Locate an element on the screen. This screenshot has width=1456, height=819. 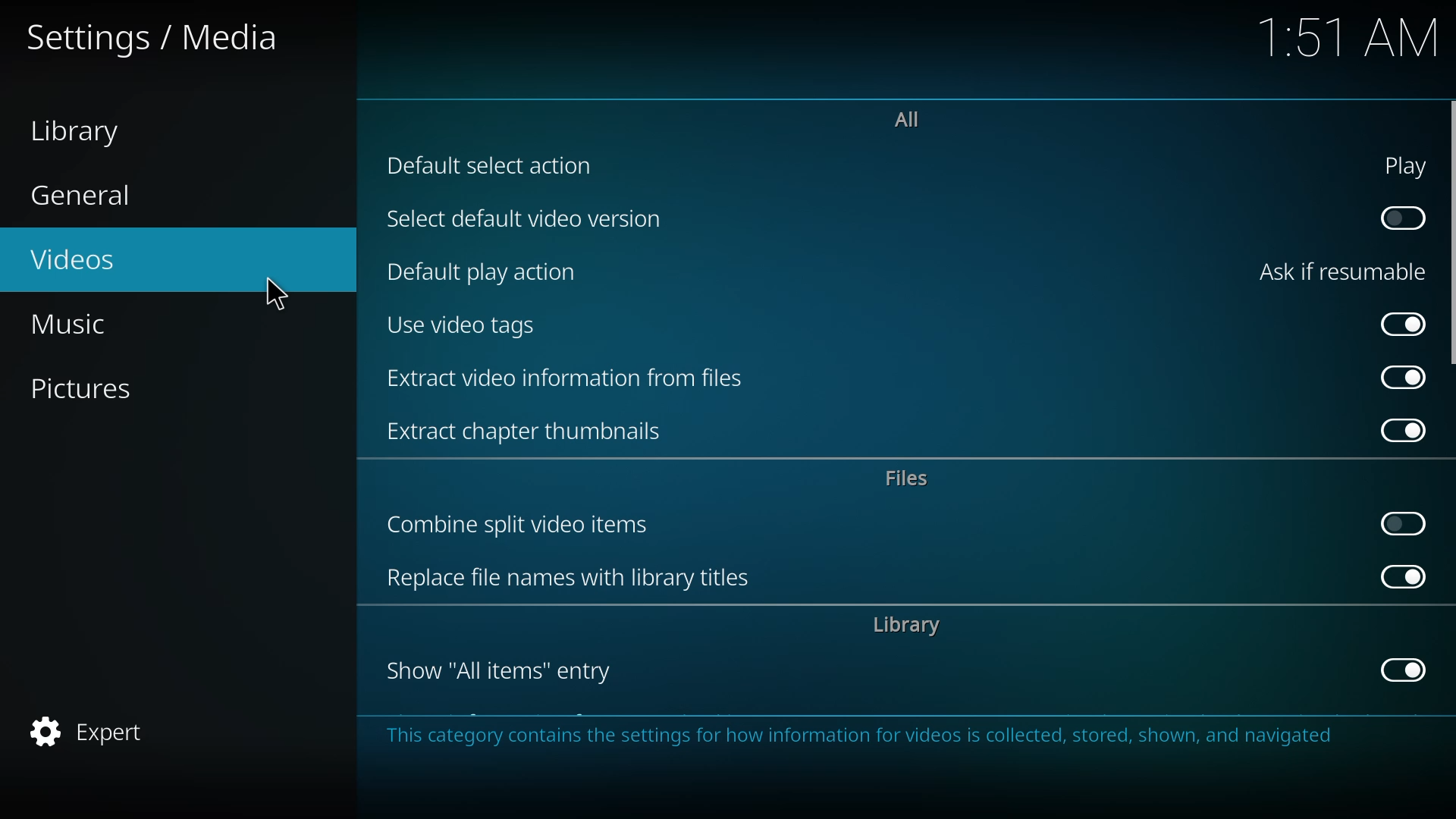
library is located at coordinates (85, 130).